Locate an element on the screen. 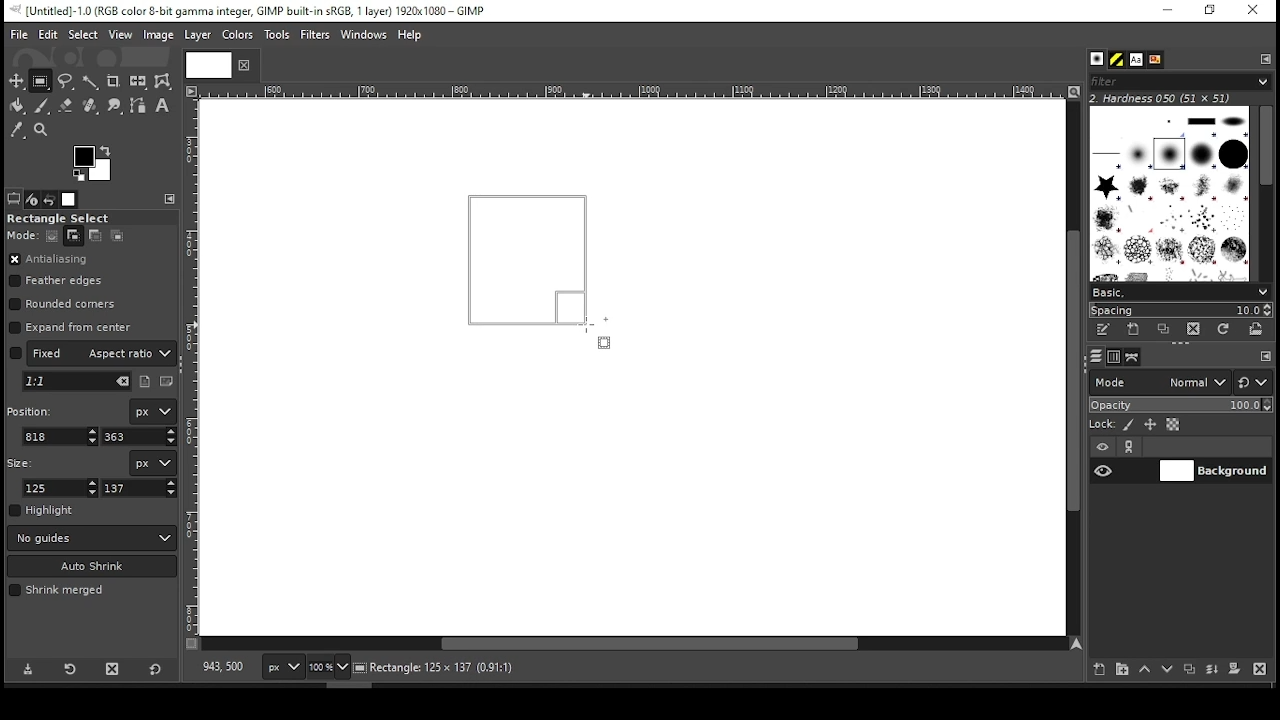  spacing is located at coordinates (1180, 310).